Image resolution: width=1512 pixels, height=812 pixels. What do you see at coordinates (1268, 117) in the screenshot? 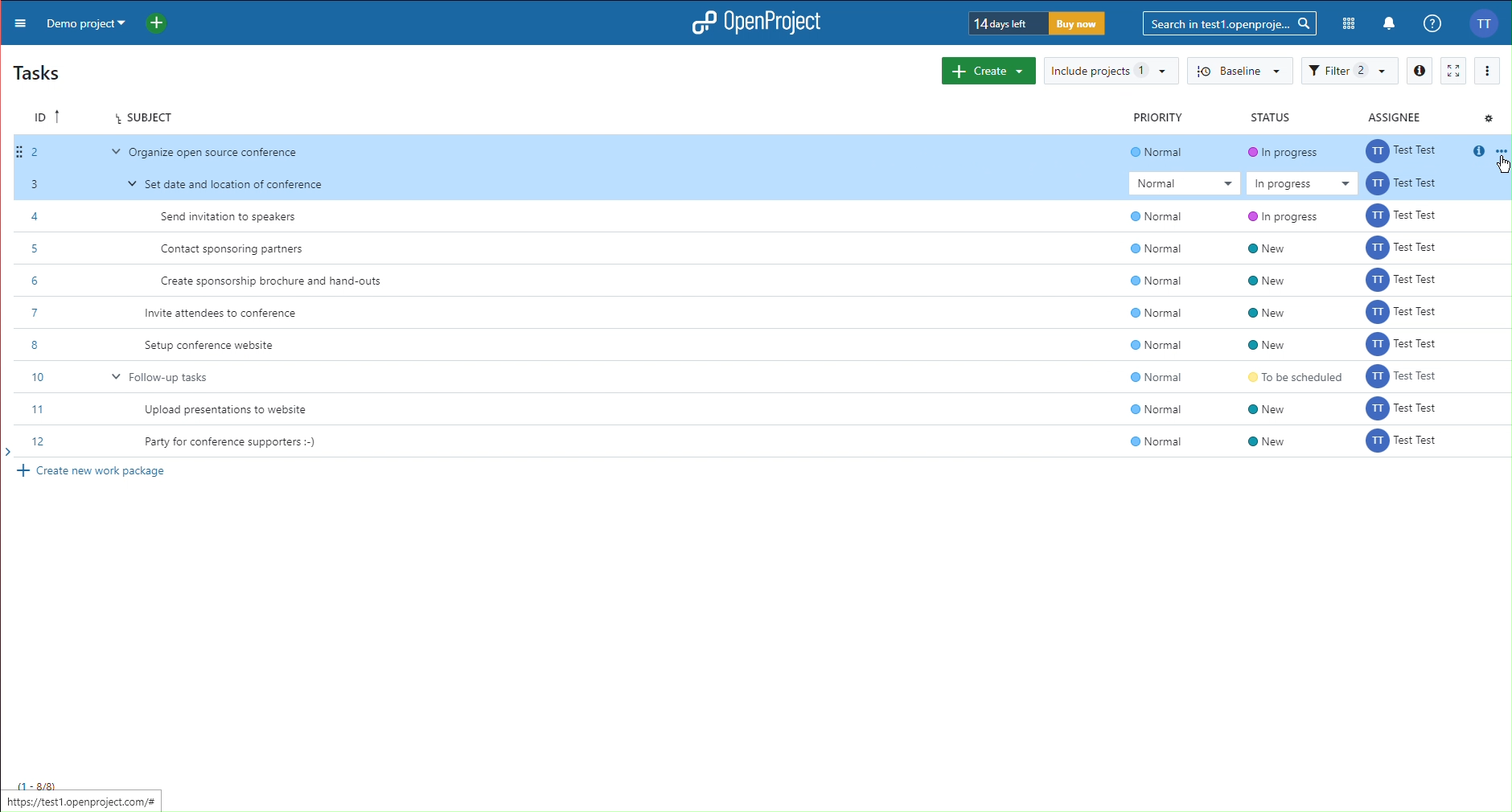
I see `Status` at bounding box center [1268, 117].